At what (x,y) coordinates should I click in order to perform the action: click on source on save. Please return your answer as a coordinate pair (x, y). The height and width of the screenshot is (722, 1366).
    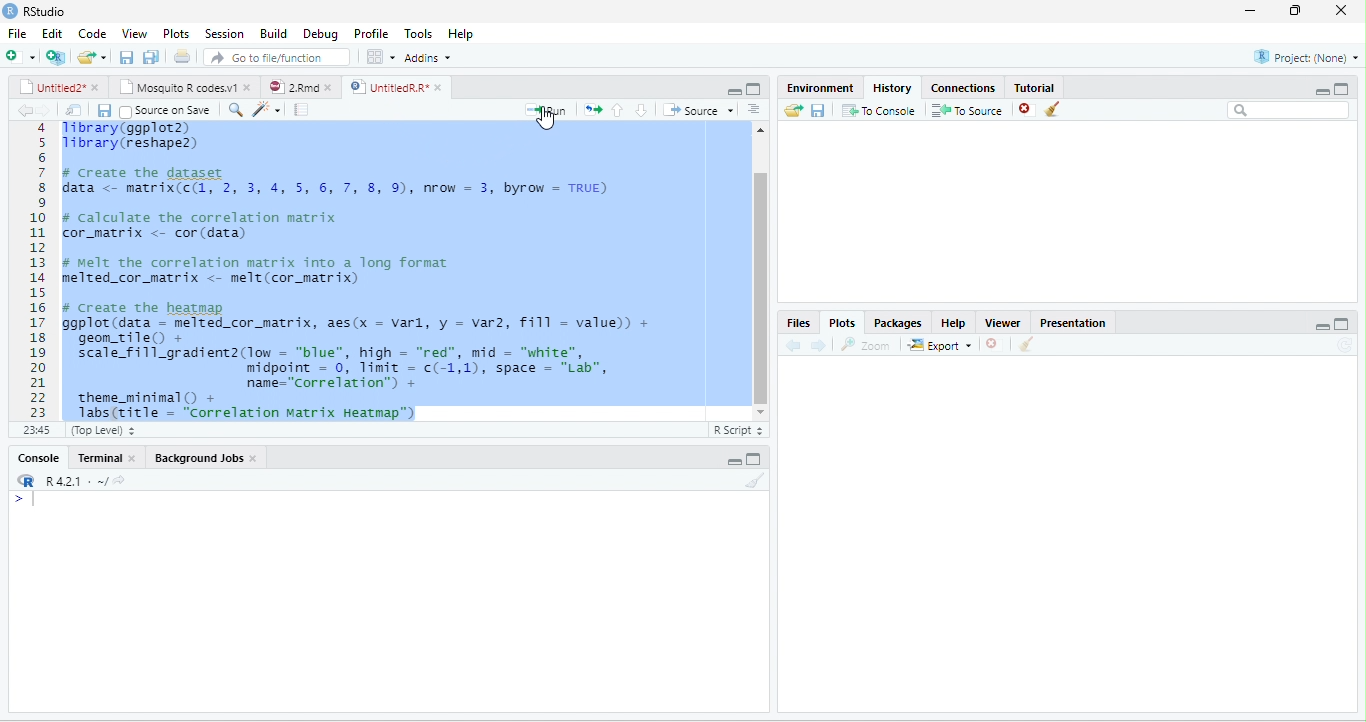
    Looking at the image, I should click on (169, 109).